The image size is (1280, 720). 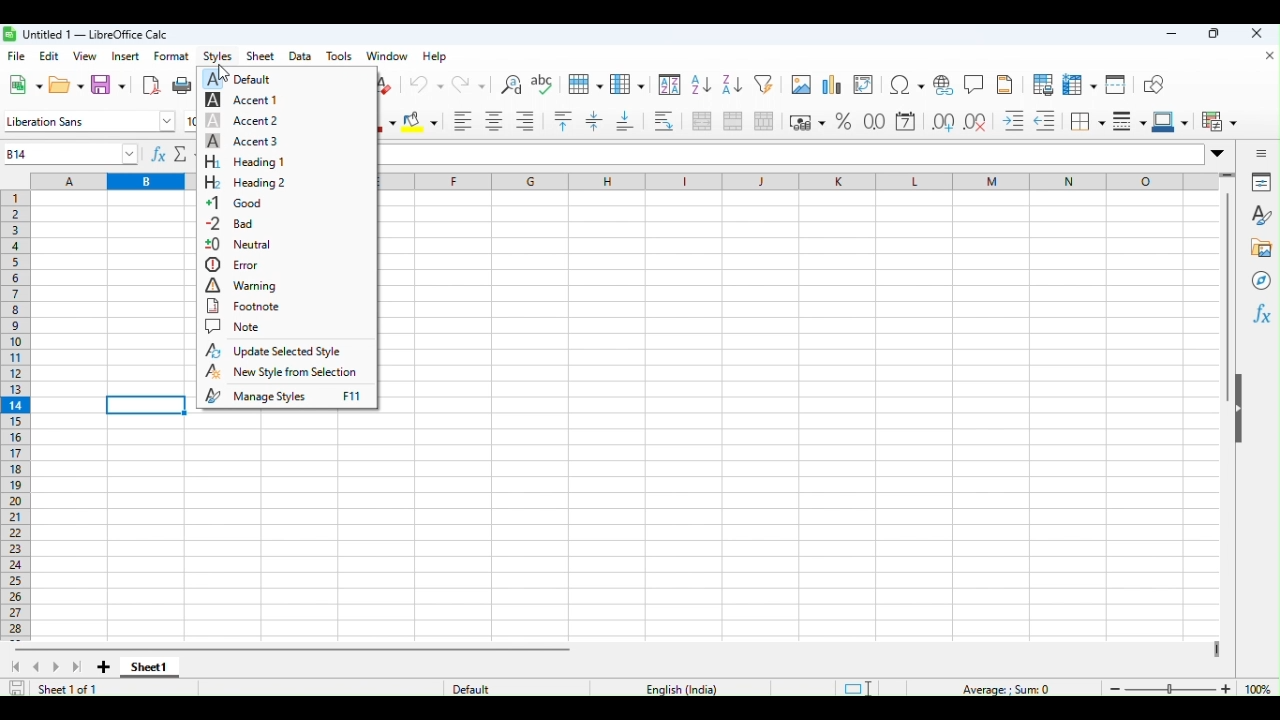 I want to click on Navigator, so click(x=1260, y=277).